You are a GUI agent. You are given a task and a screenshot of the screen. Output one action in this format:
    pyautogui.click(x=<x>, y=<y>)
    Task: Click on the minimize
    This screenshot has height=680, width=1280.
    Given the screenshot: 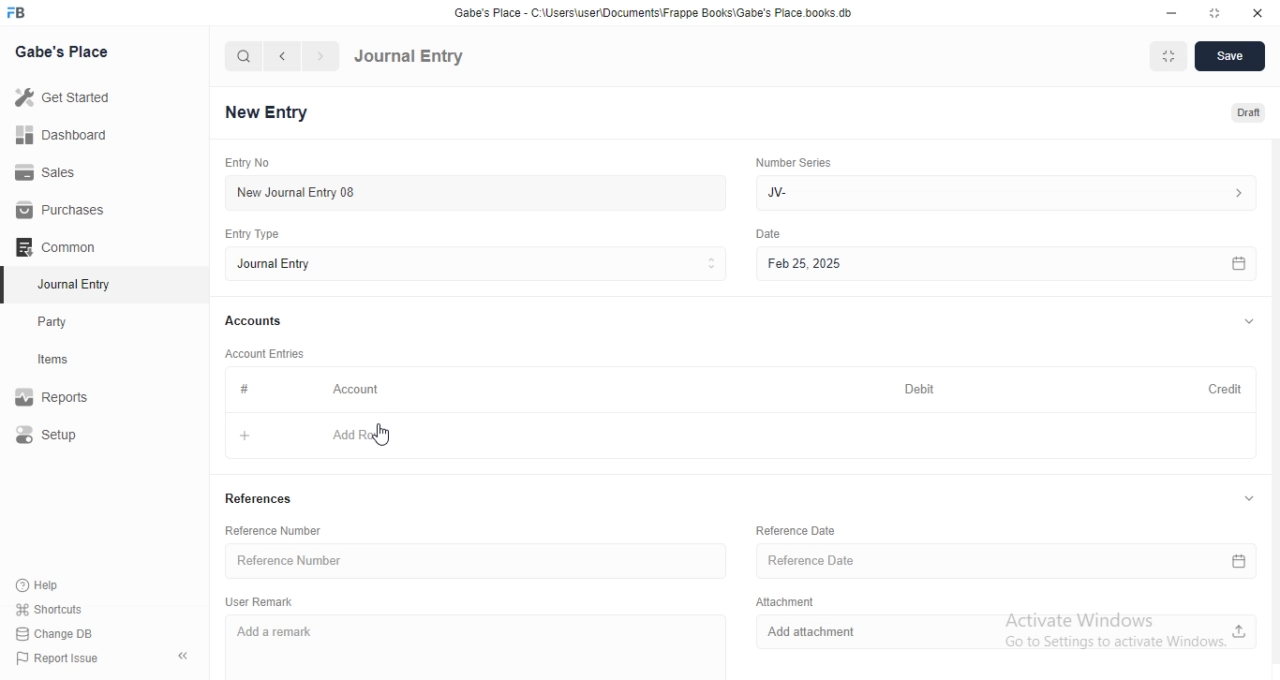 What is the action you would take?
    pyautogui.click(x=1174, y=11)
    